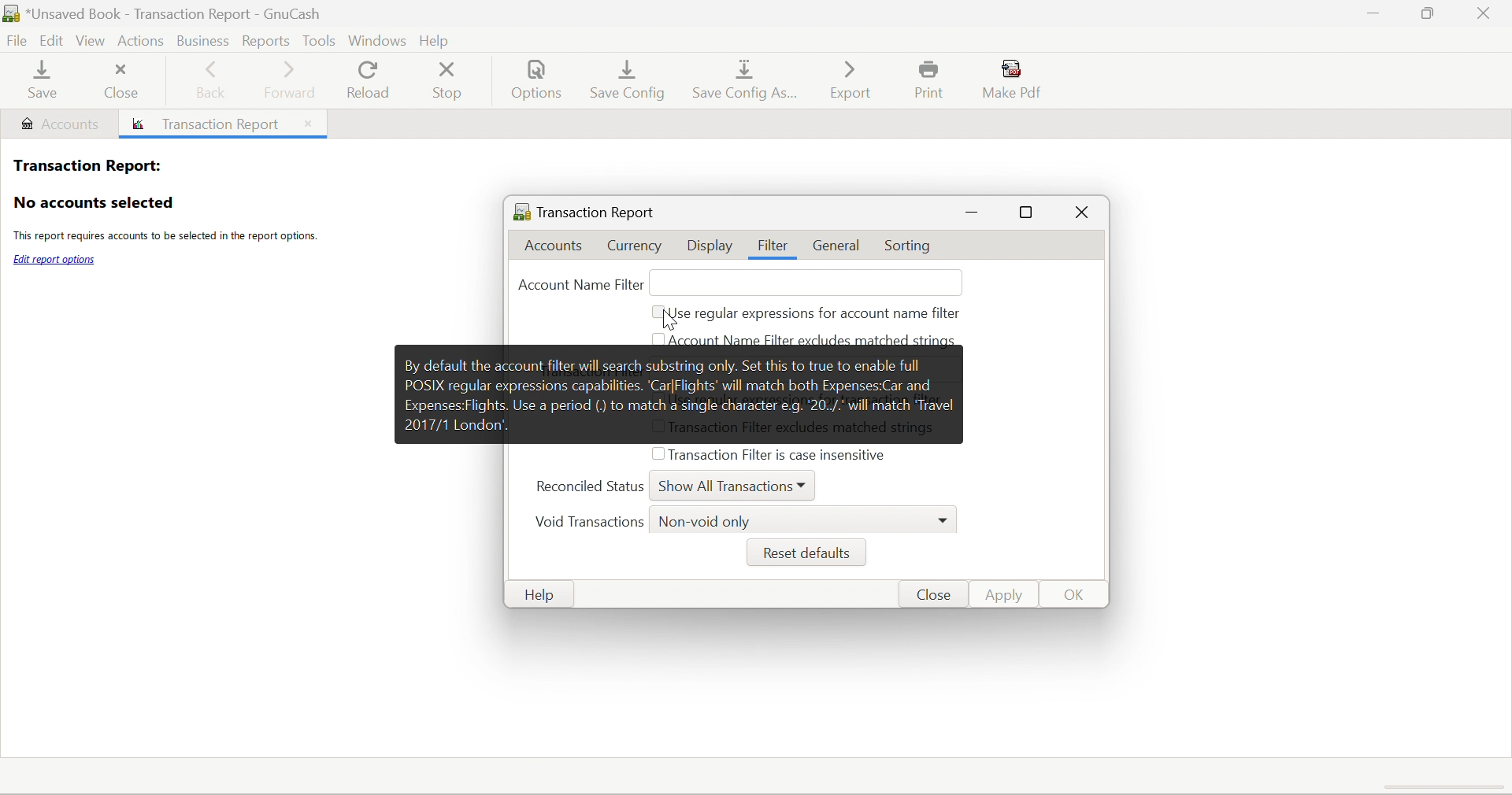  Describe the element at coordinates (773, 246) in the screenshot. I see `Filter` at that location.